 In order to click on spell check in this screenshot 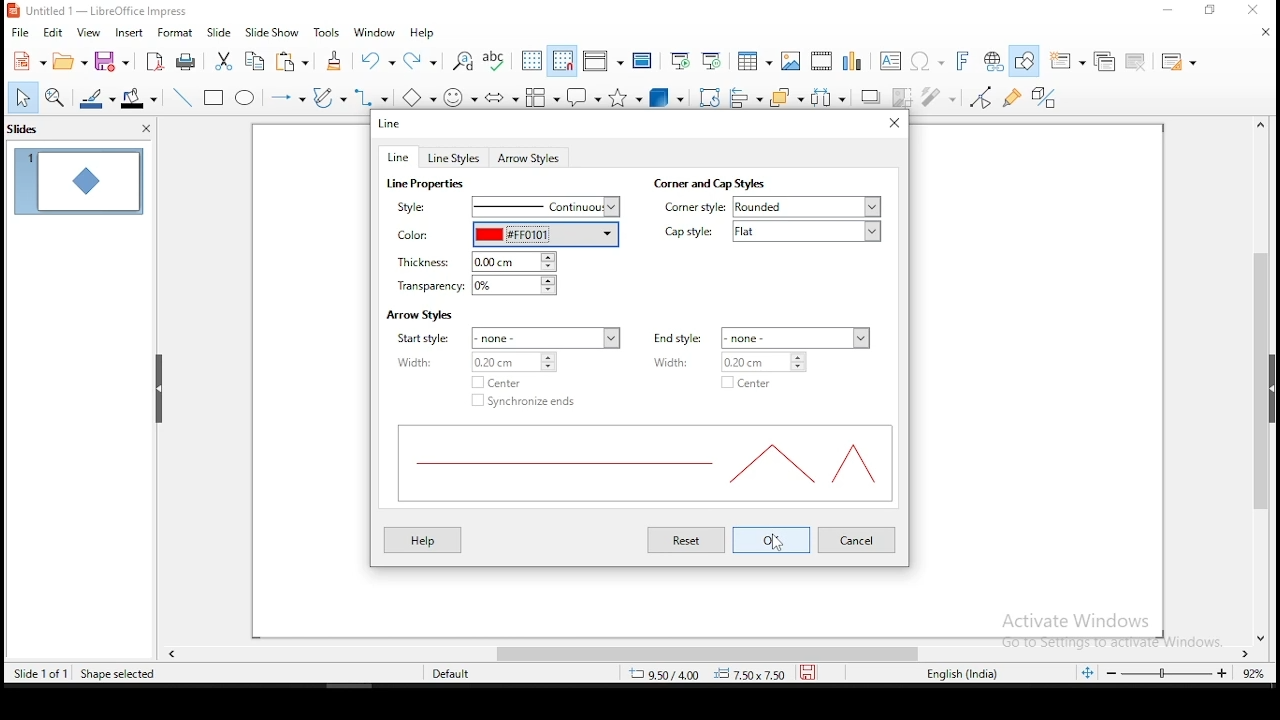, I will do `click(498, 59)`.